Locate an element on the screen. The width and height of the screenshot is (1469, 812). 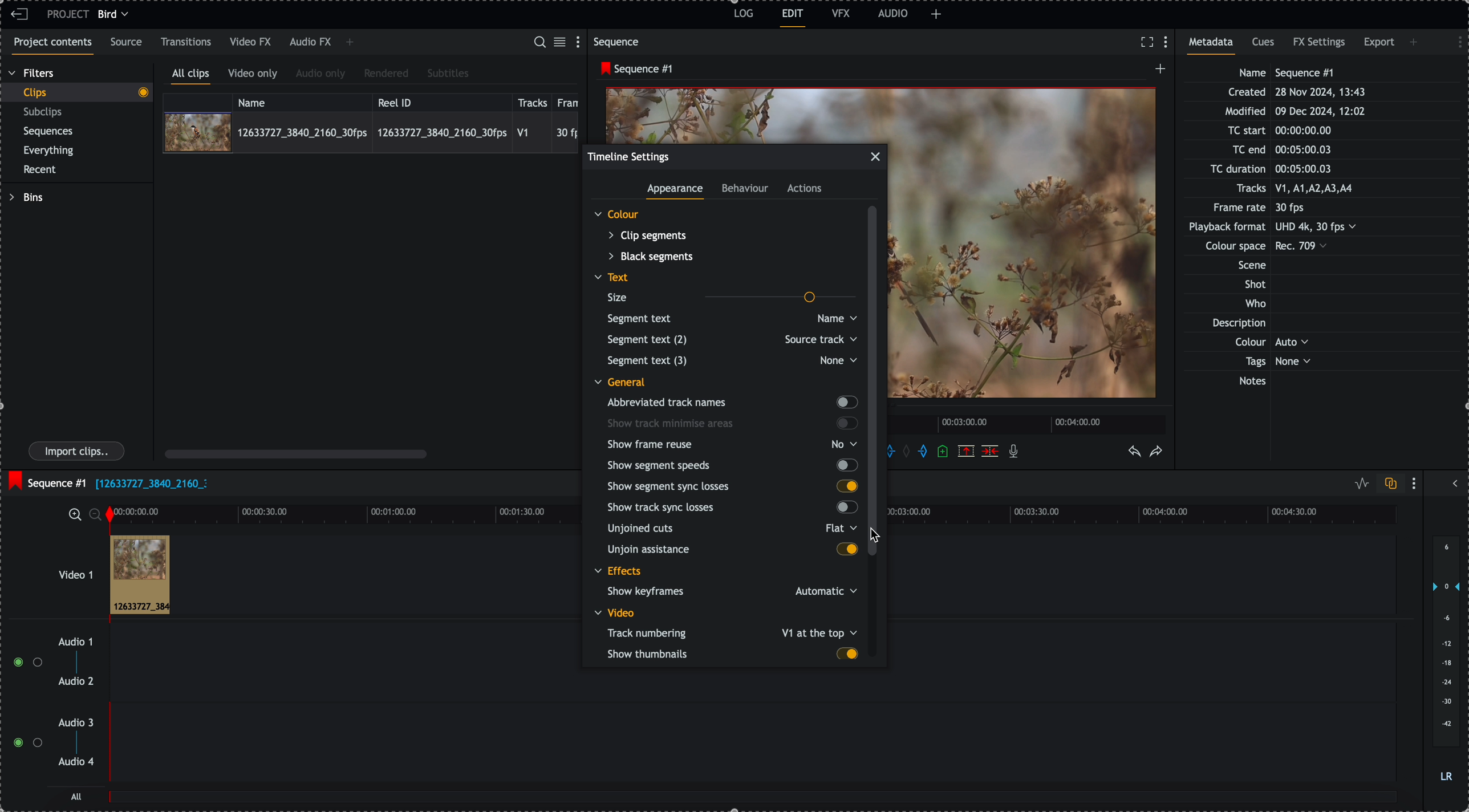
timeline is located at coordinates (1152, 515).